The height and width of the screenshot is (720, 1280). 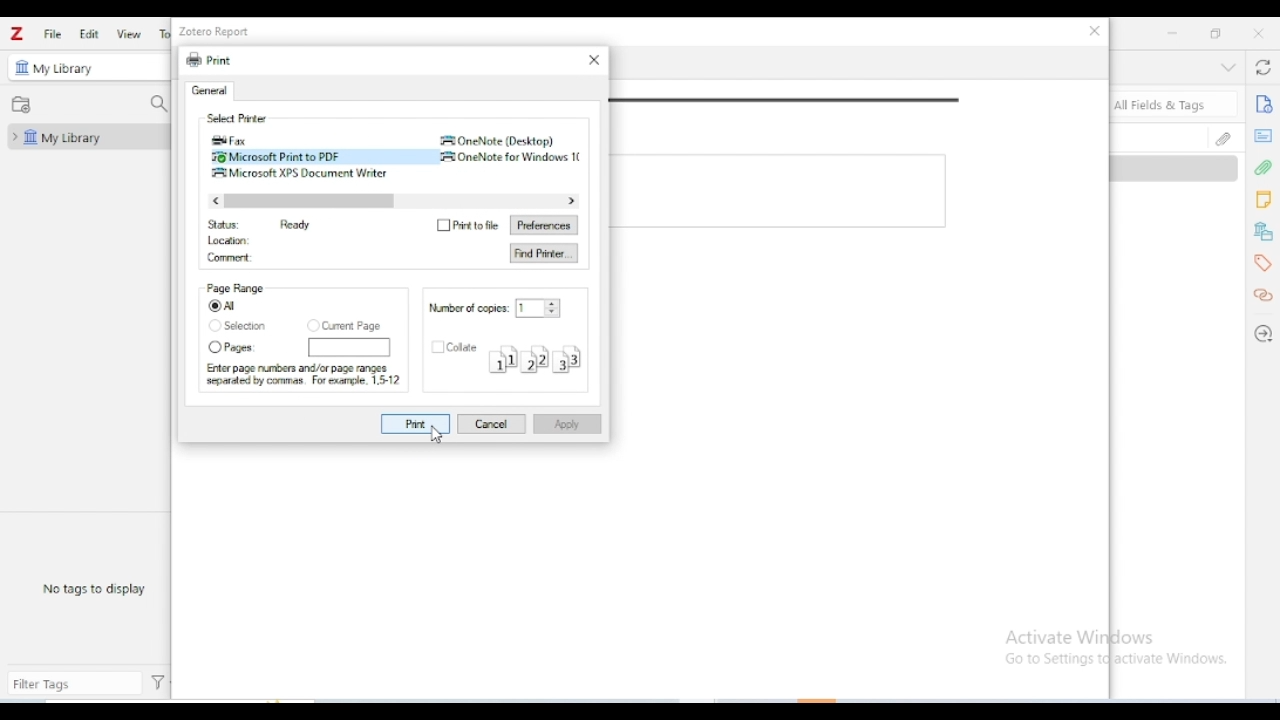 What do you see at coordinates (21, 104) in the screenshot?
I see `new collection` at bounding box center [21, 104].